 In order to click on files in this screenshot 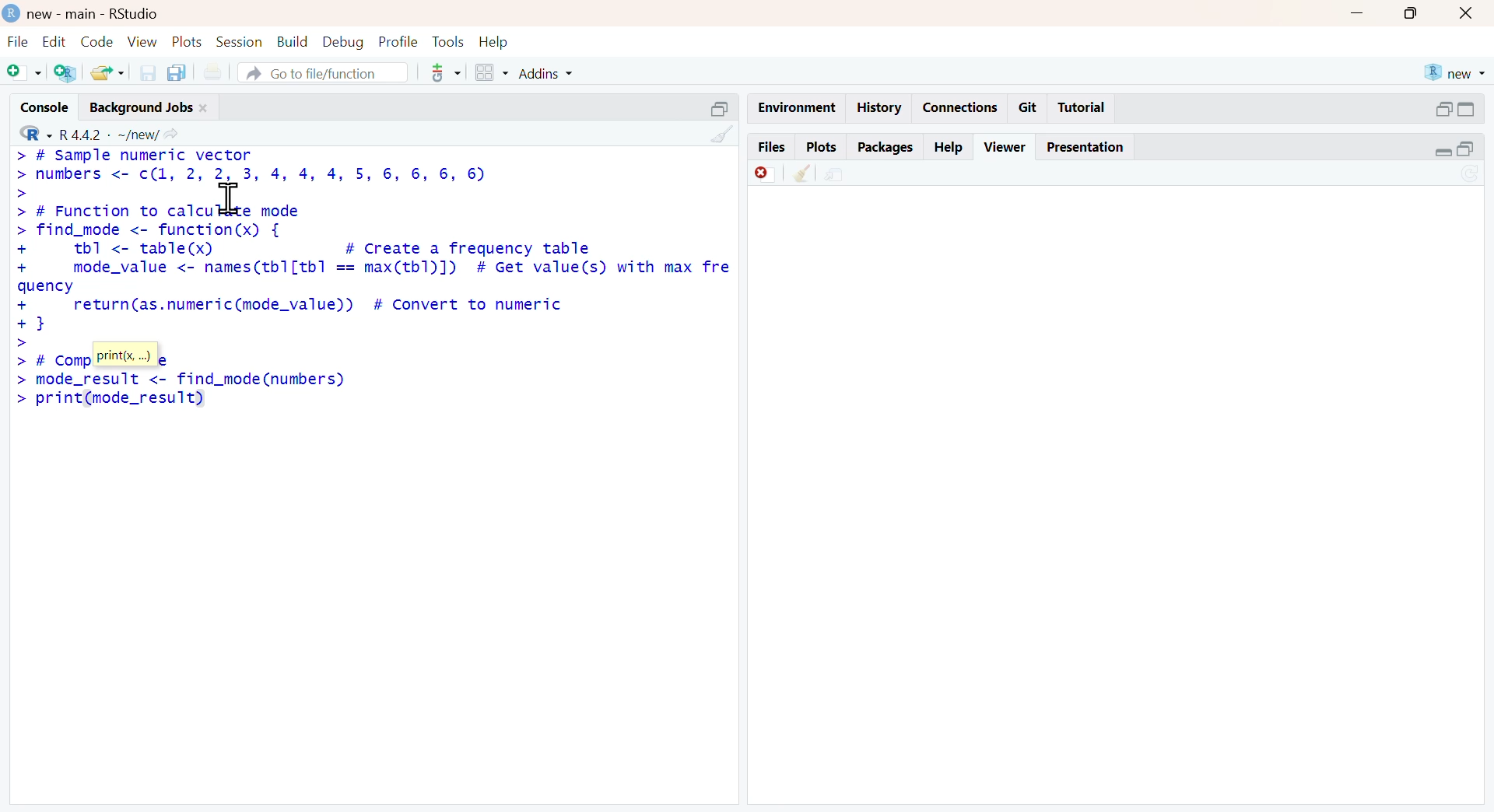, I will do `click(773, 145)`.